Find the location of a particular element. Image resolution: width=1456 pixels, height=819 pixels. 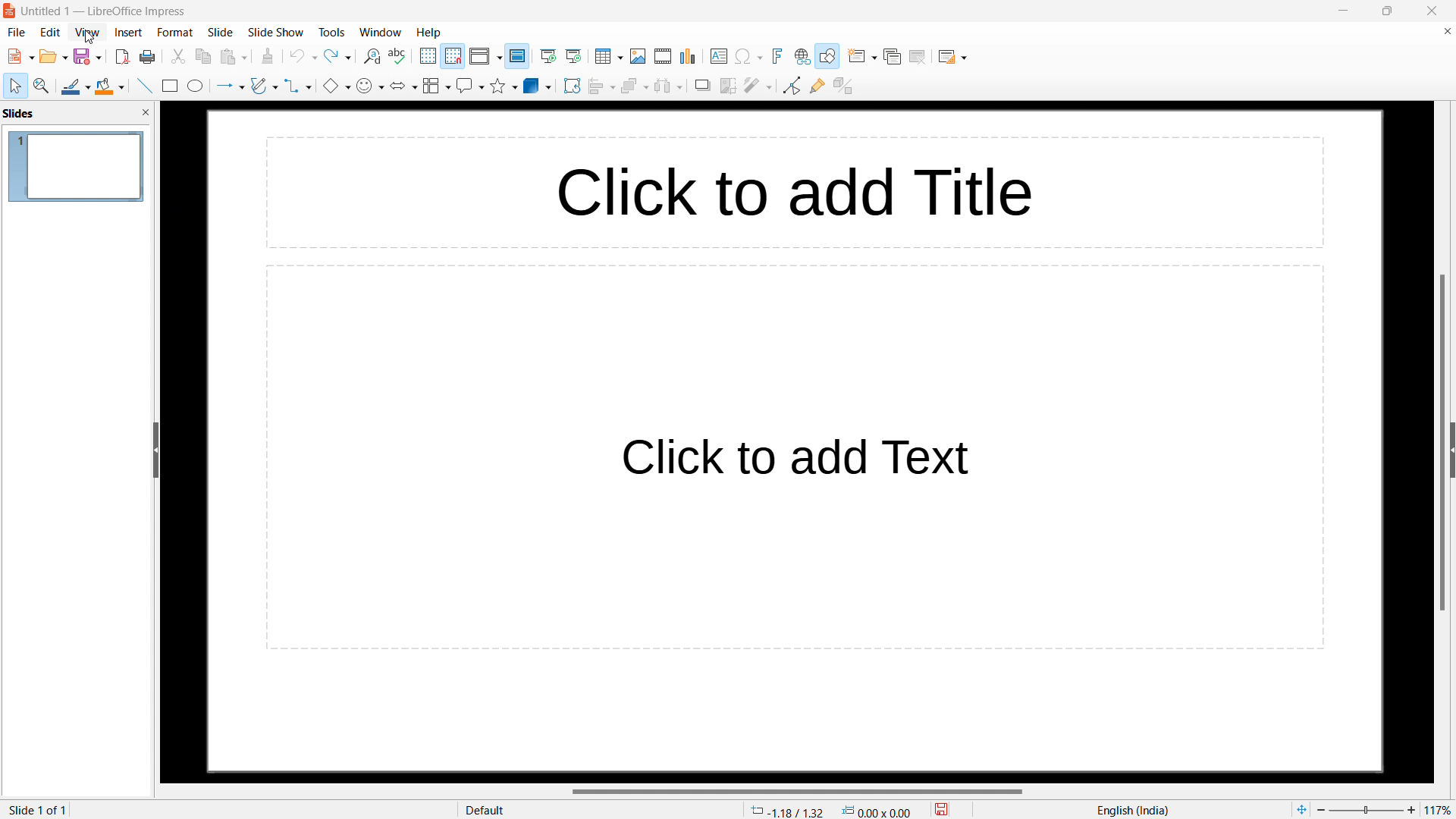

zoom in is located at coordinates (1411, 808).